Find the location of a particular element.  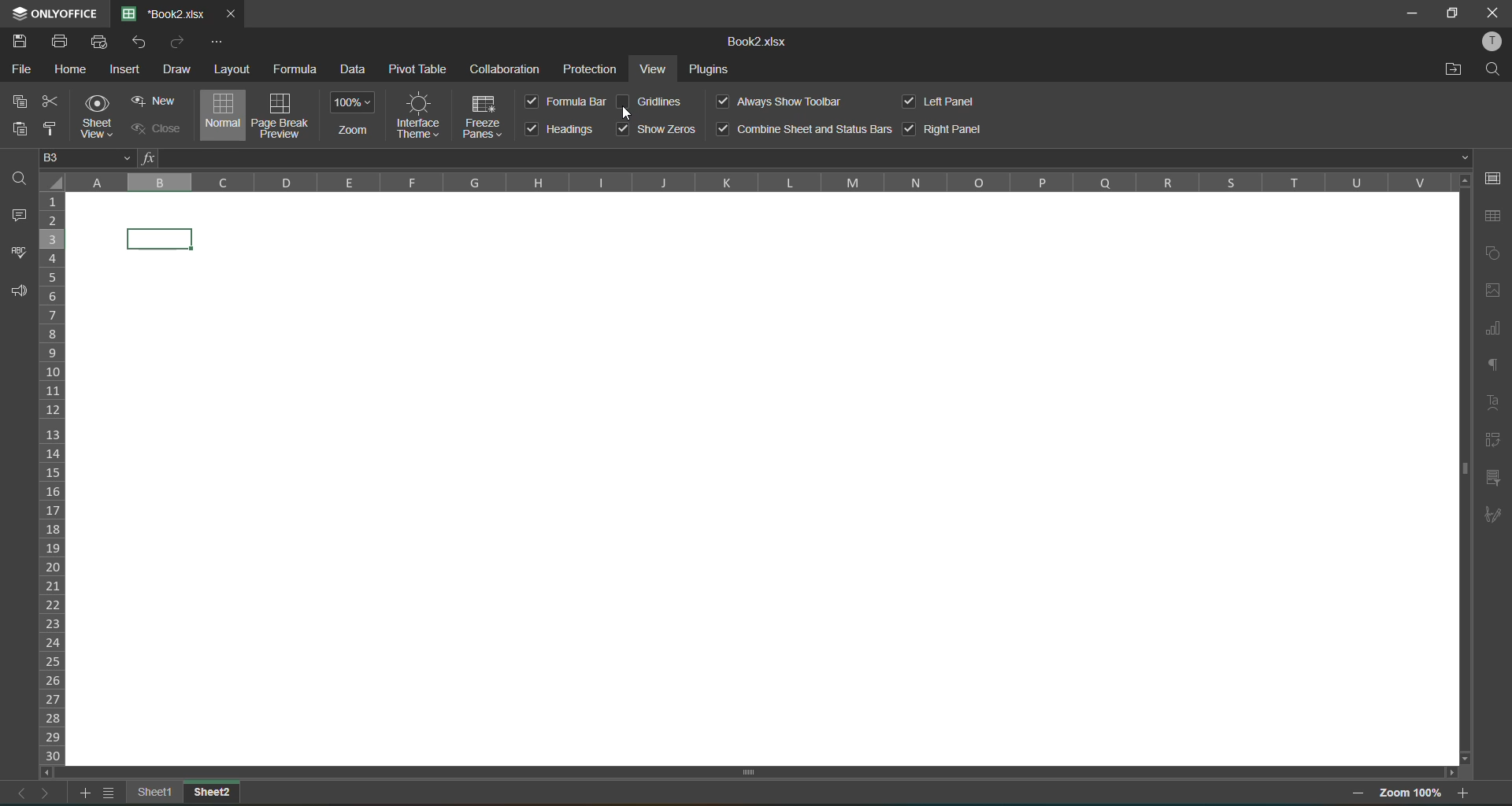

combine sheet and status  bars is located at coordinates (805, 130).